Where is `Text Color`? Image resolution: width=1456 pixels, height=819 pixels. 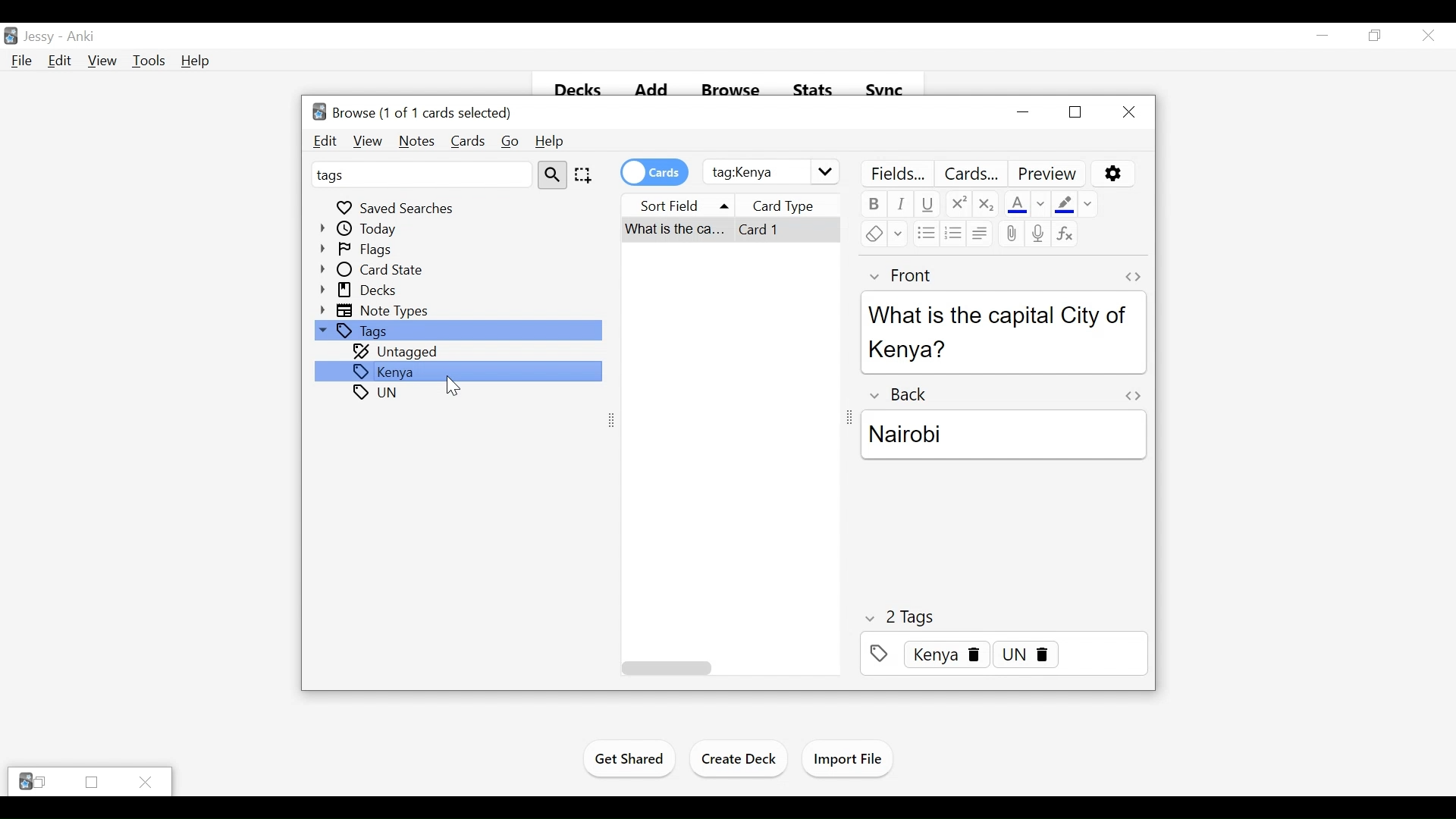 Text Color is located at coordinates (1016, 202).